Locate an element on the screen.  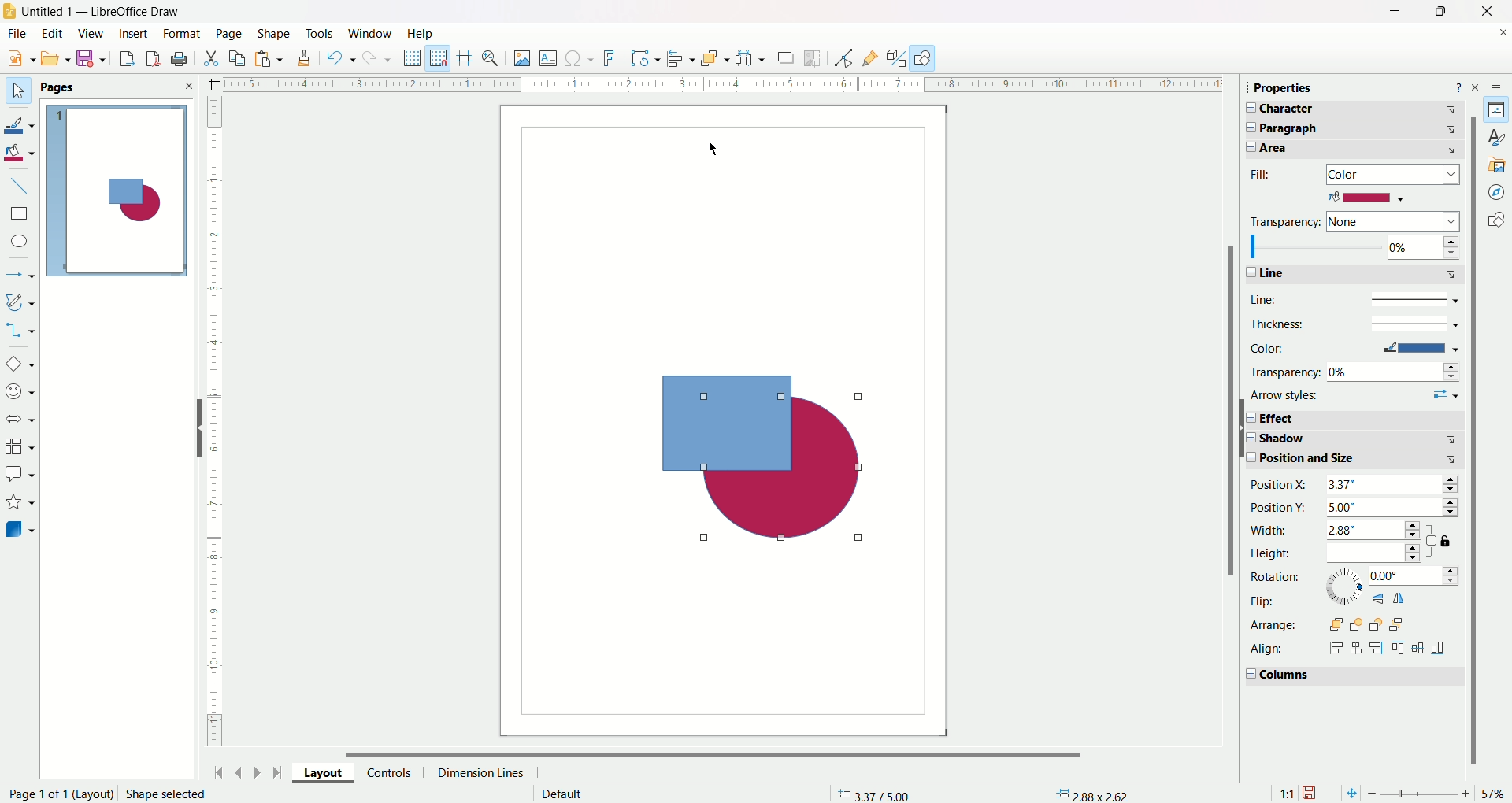
redo is located at coordinates (379, 60).